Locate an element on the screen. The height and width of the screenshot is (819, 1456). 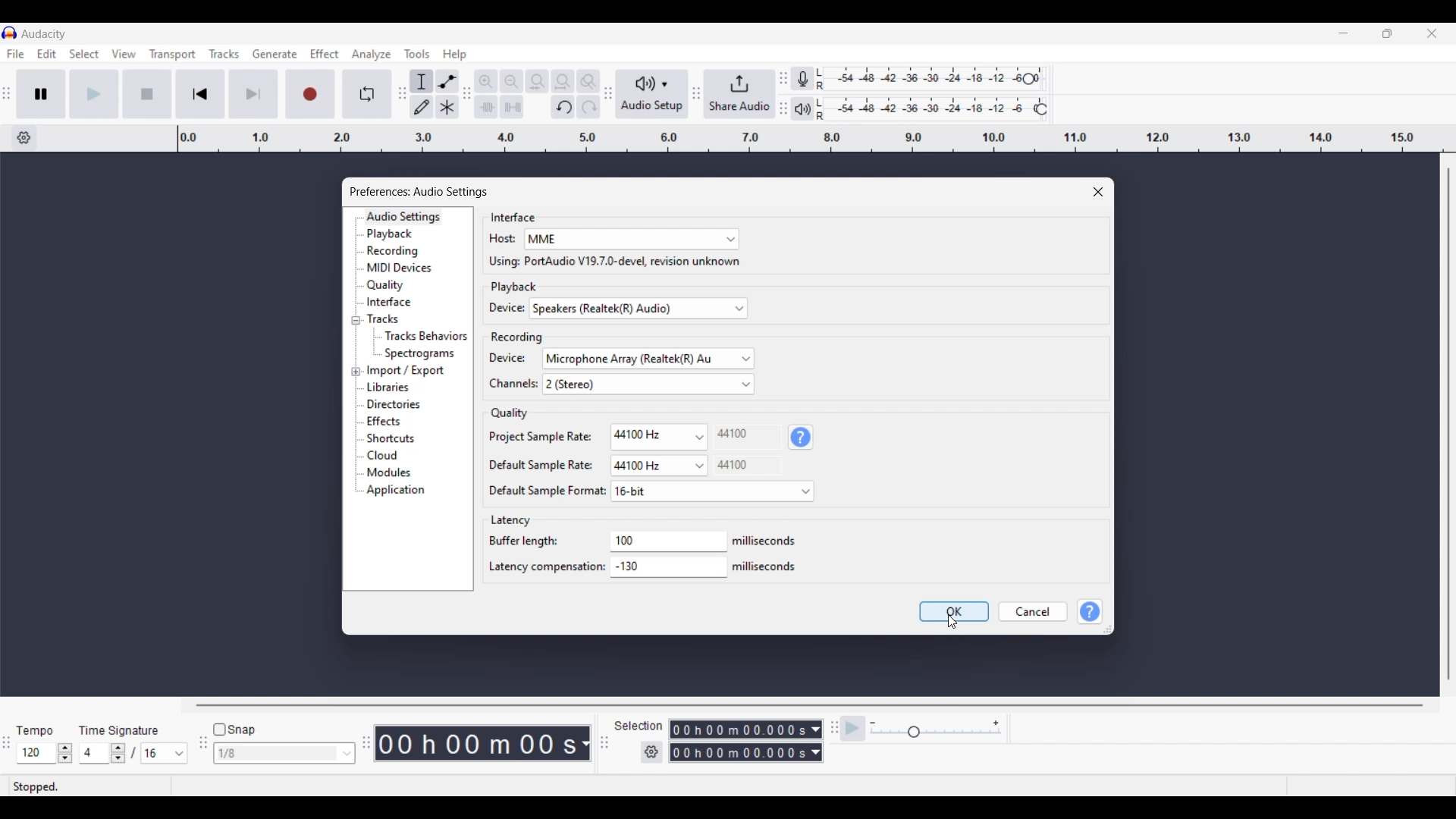
Cloud is located at coordinates (402, 456).